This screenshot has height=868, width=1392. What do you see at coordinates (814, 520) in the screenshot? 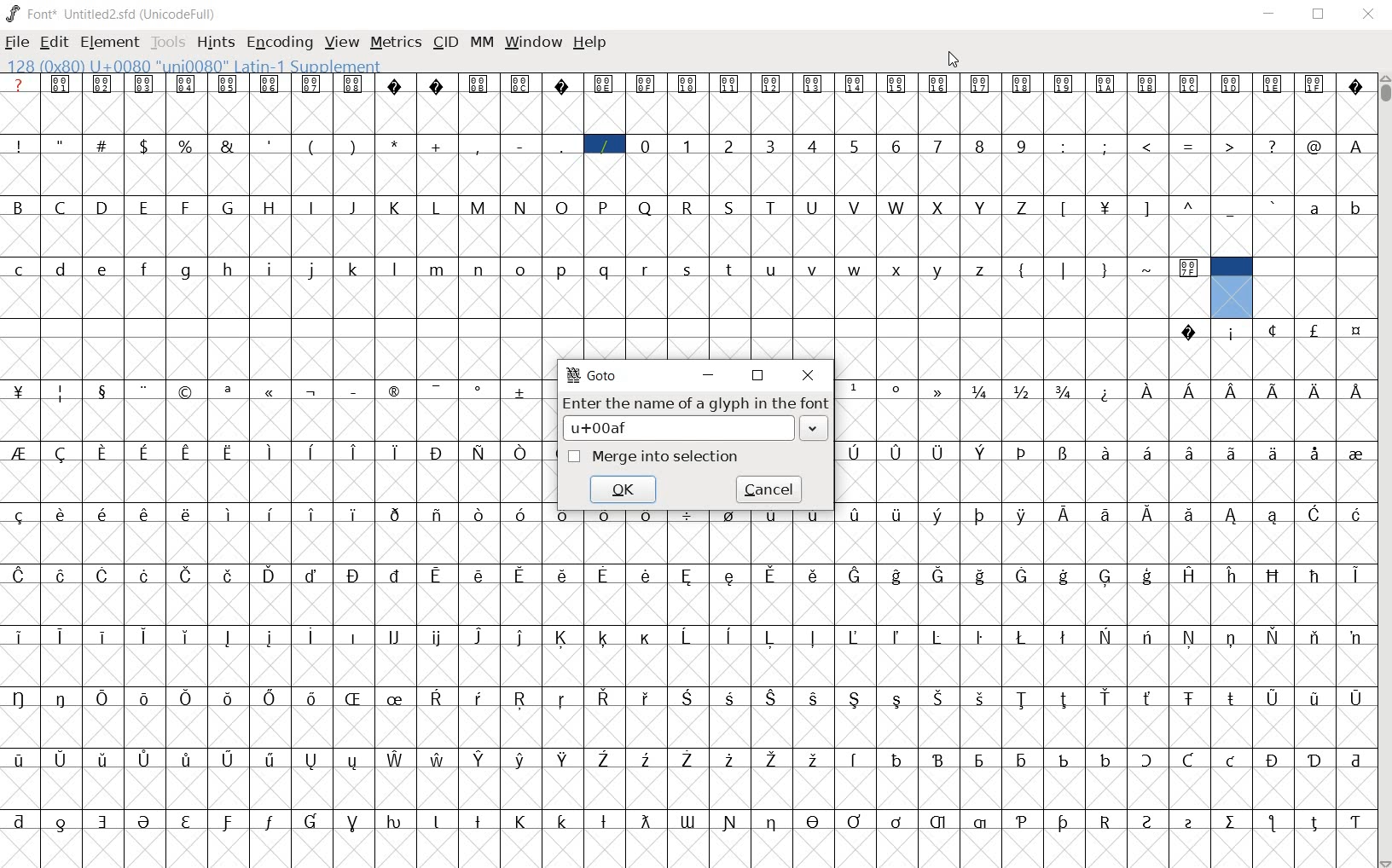
I see `Symbol` at bounding box center [814, 520].